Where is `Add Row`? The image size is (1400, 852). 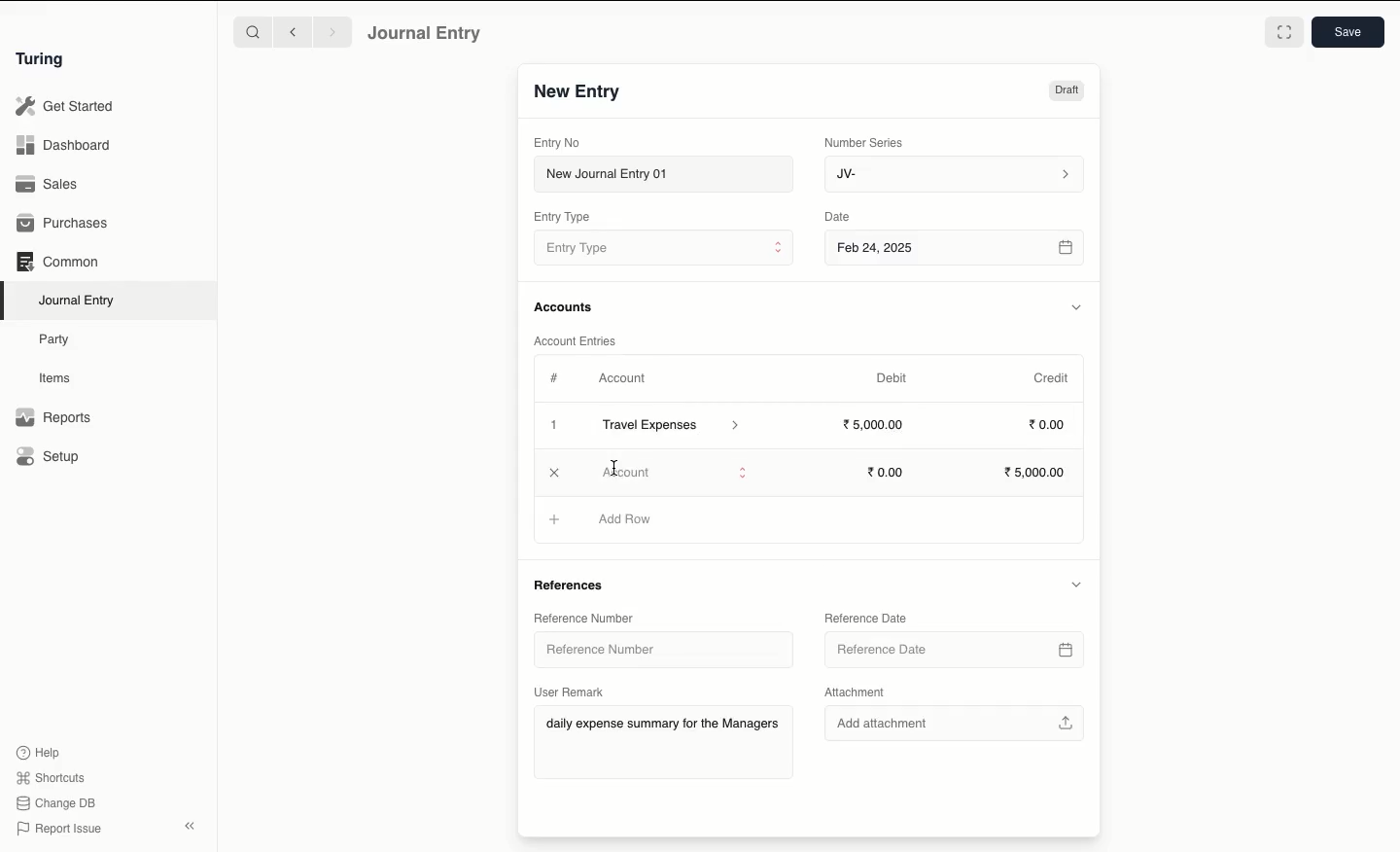
Add Row is located at coordinates (626, 518).